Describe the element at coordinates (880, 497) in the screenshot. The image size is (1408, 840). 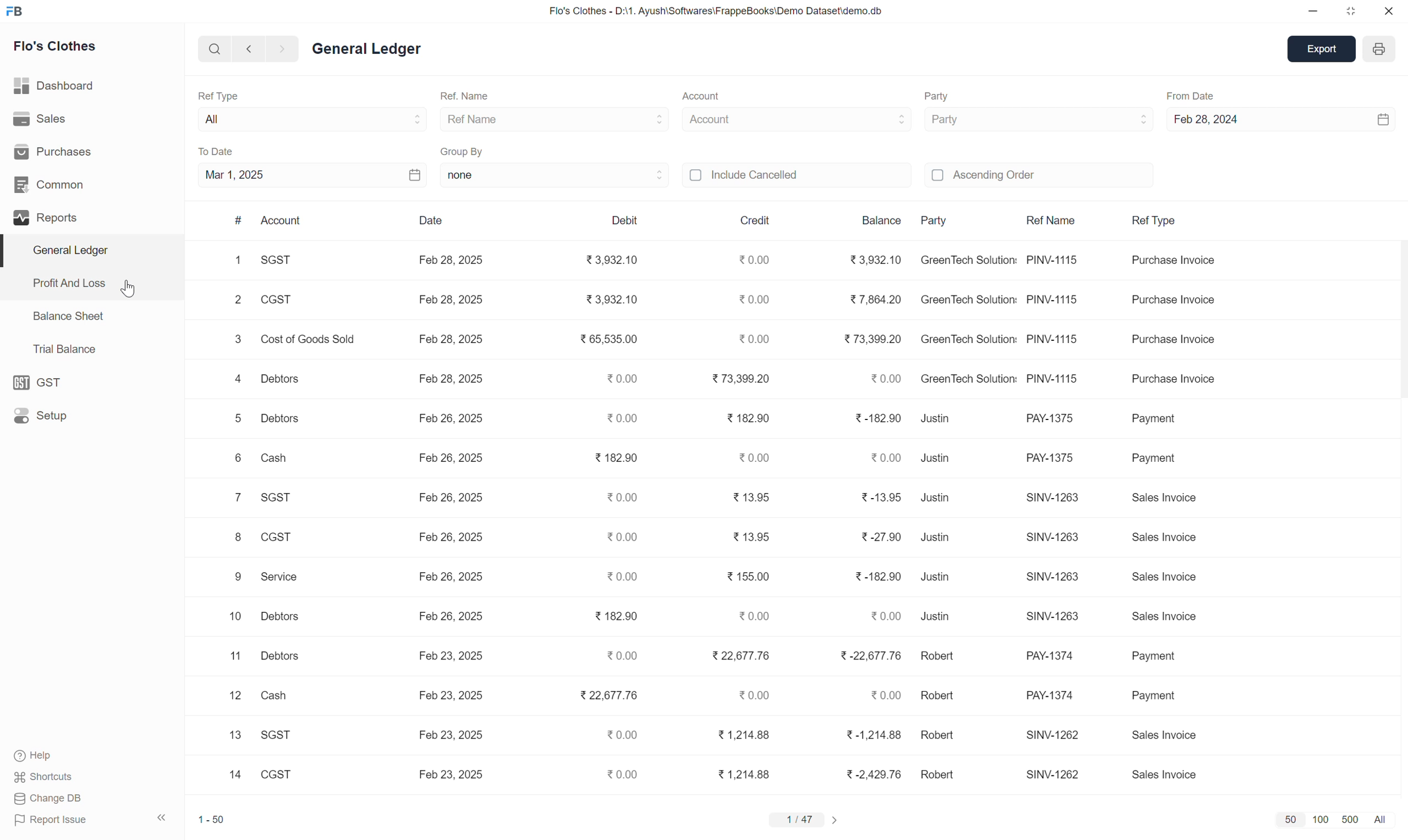
I see `₹-13.95` at that location.